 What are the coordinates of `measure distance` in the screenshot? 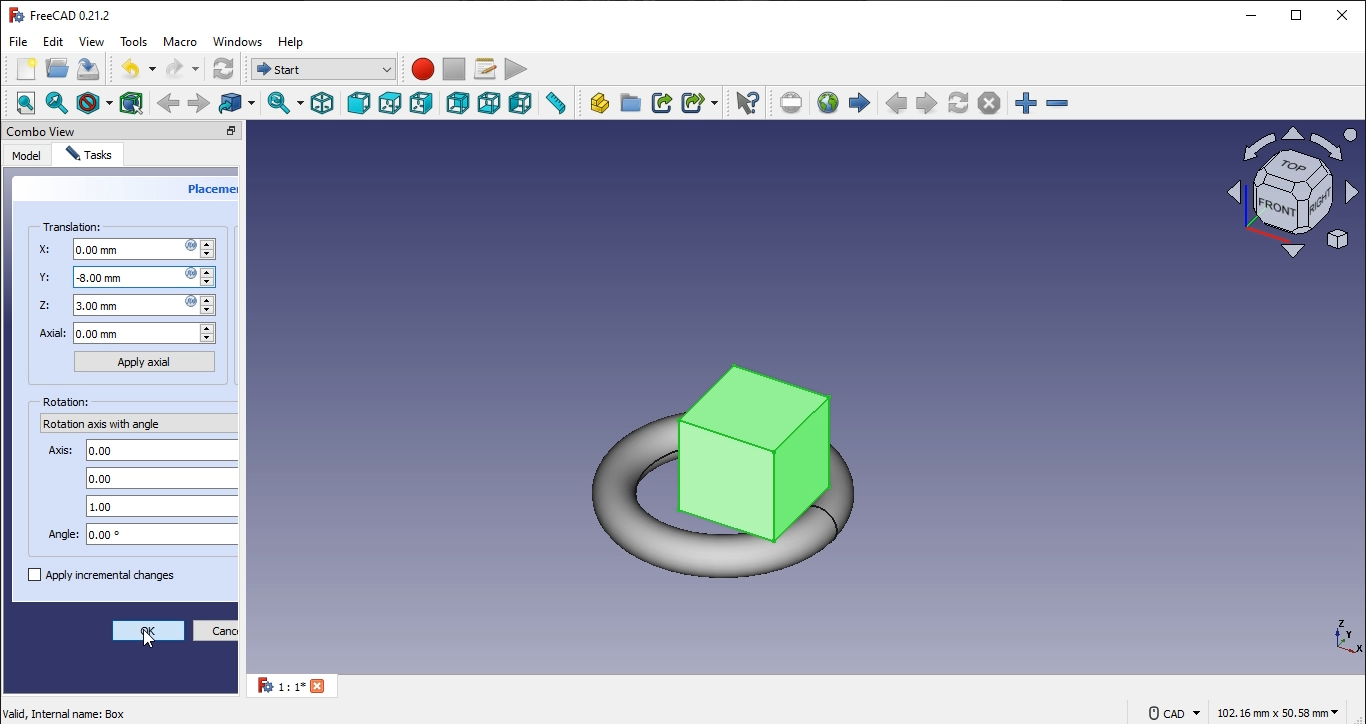 It's located at (556, 104).